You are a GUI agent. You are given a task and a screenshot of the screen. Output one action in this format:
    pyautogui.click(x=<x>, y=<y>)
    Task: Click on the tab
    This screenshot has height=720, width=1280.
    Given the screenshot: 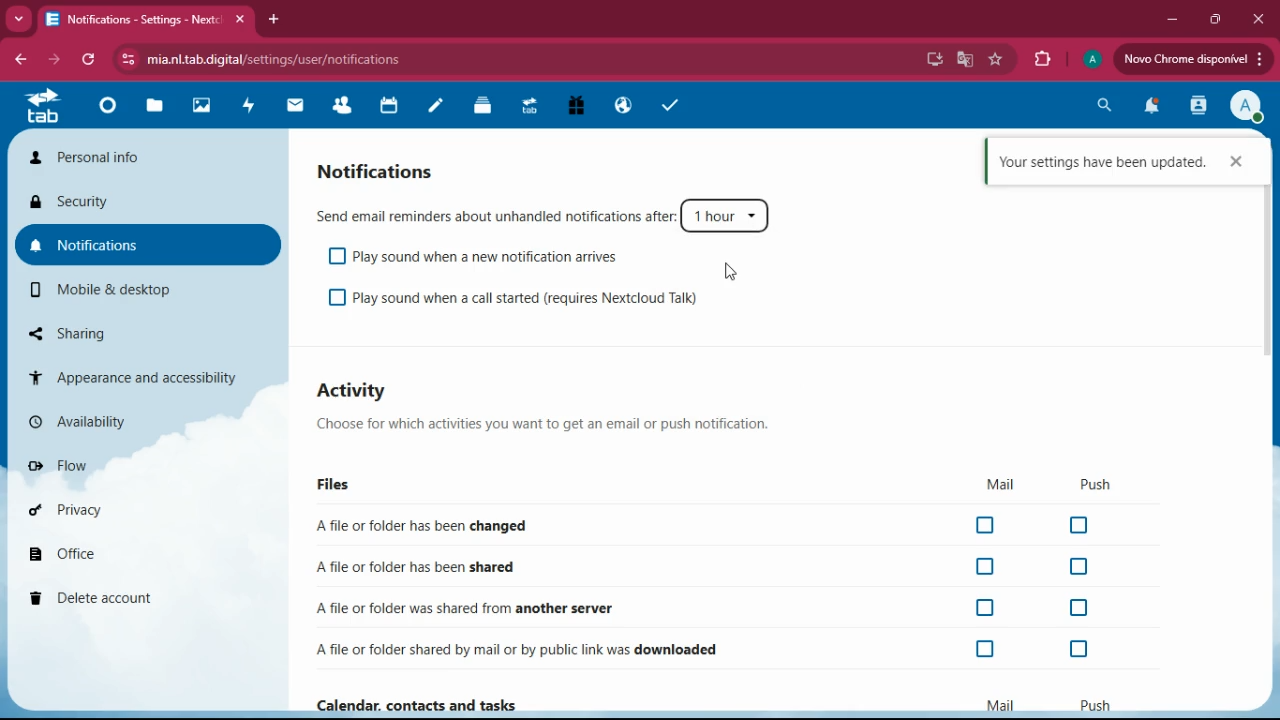 What is the action you would take?
    pyautogui.click(x=42, y=106)
    